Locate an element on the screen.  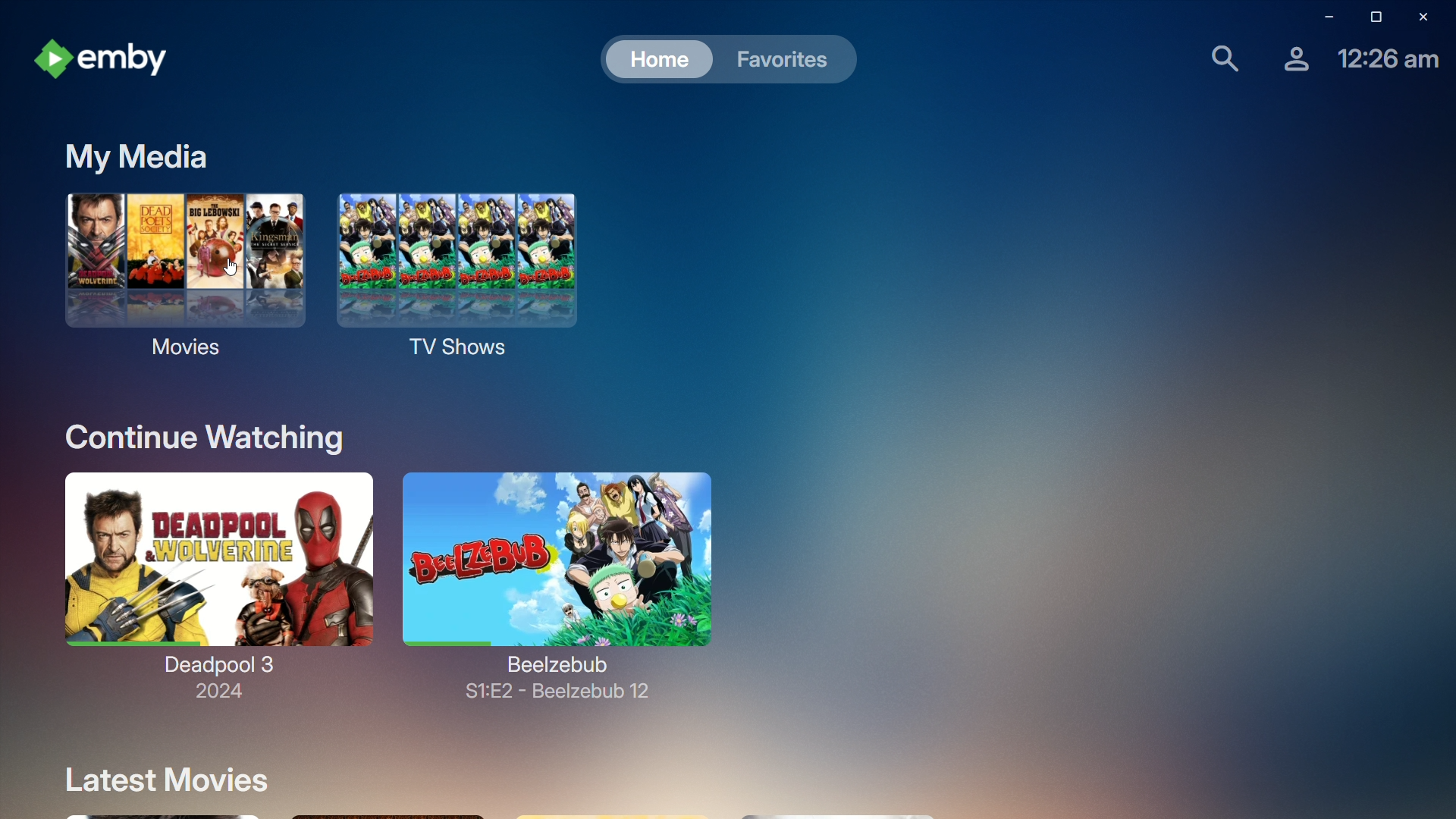
2024 is located at coordinates (214, 697).